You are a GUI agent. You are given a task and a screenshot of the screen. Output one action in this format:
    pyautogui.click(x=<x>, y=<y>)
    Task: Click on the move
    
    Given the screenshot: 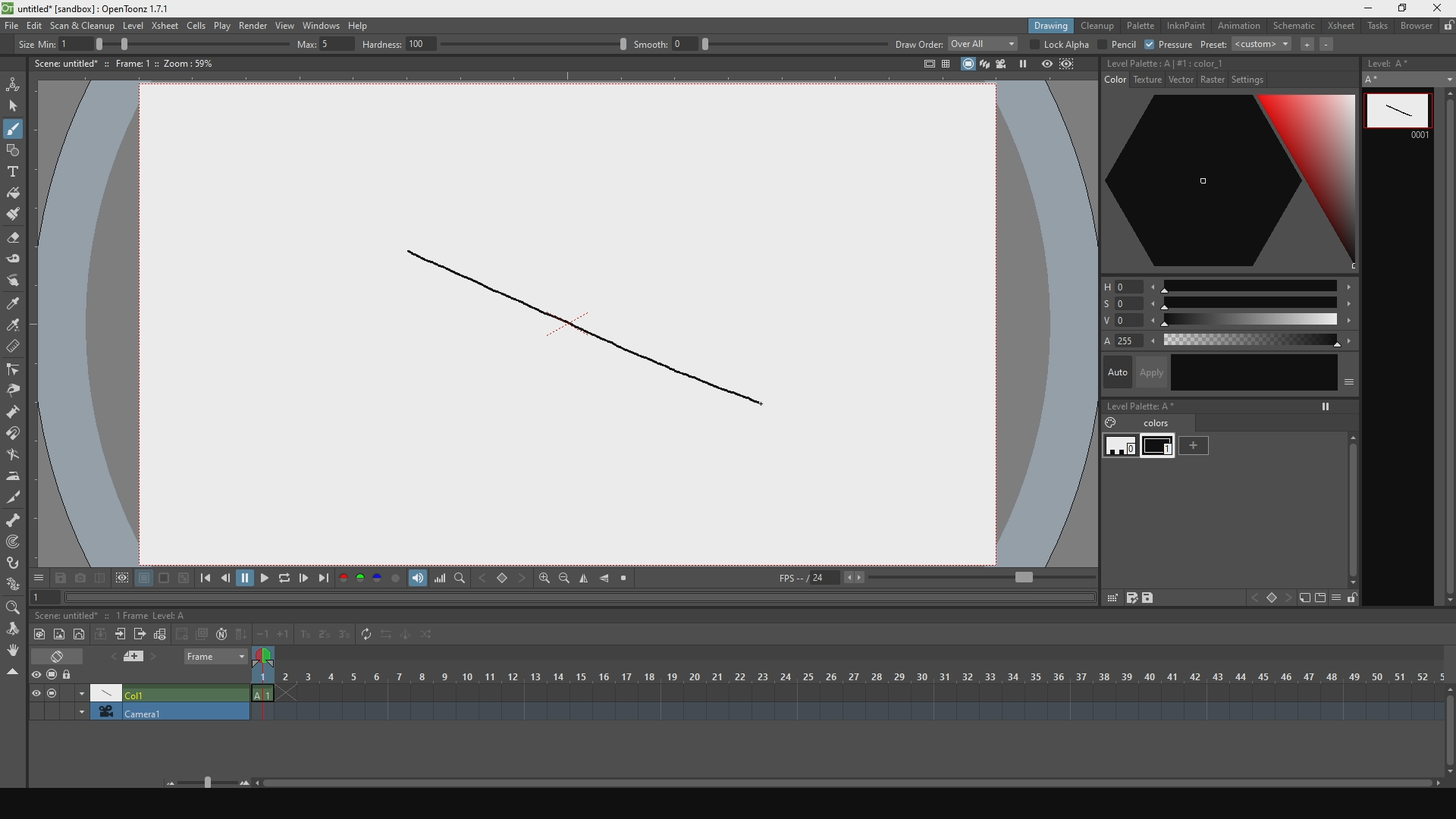 What is the action you would take?
    pyautogui.click(x=14, y=629)
    